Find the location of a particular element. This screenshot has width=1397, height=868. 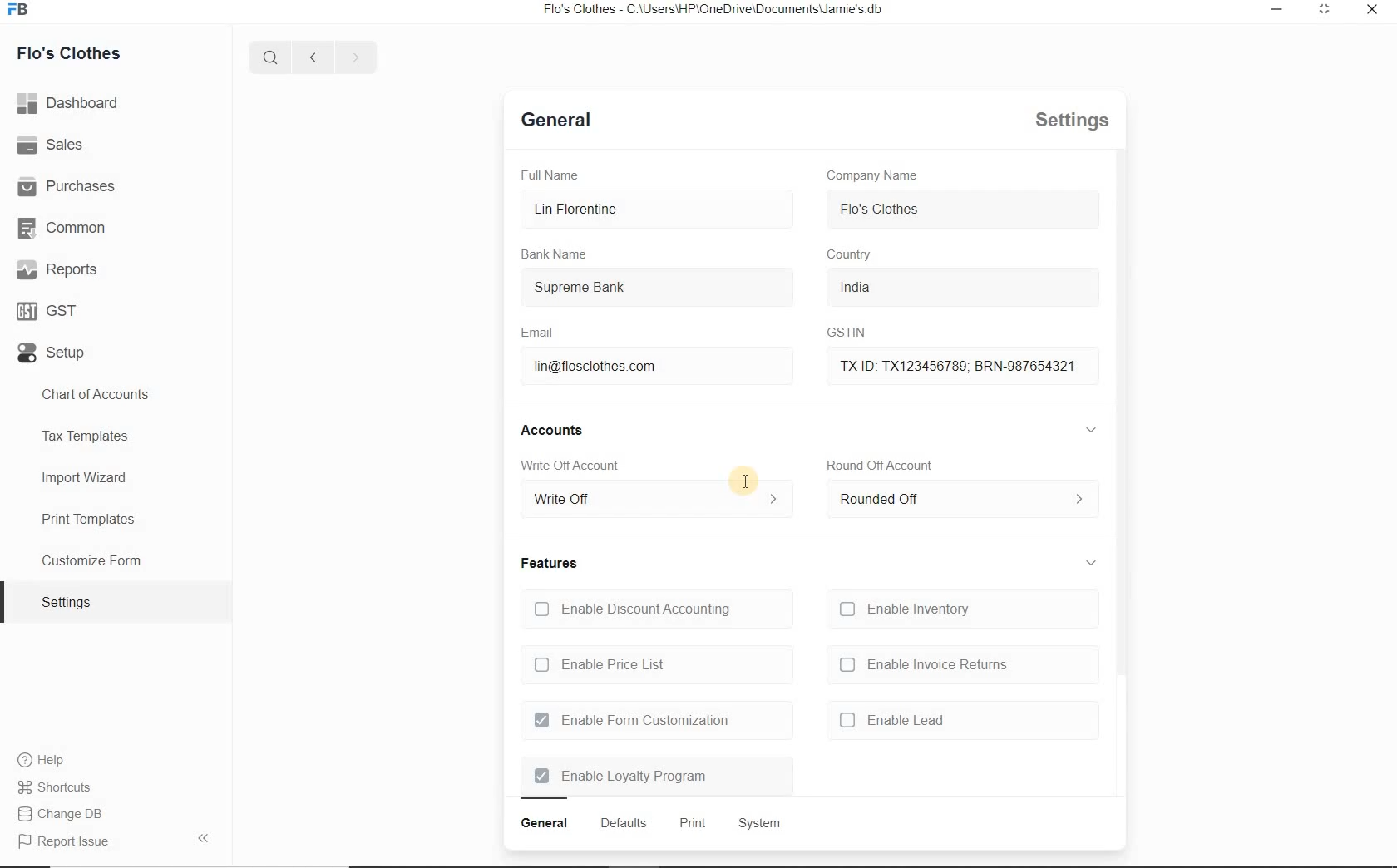

lin@flosclothes com is located at coordinates (599, 367).